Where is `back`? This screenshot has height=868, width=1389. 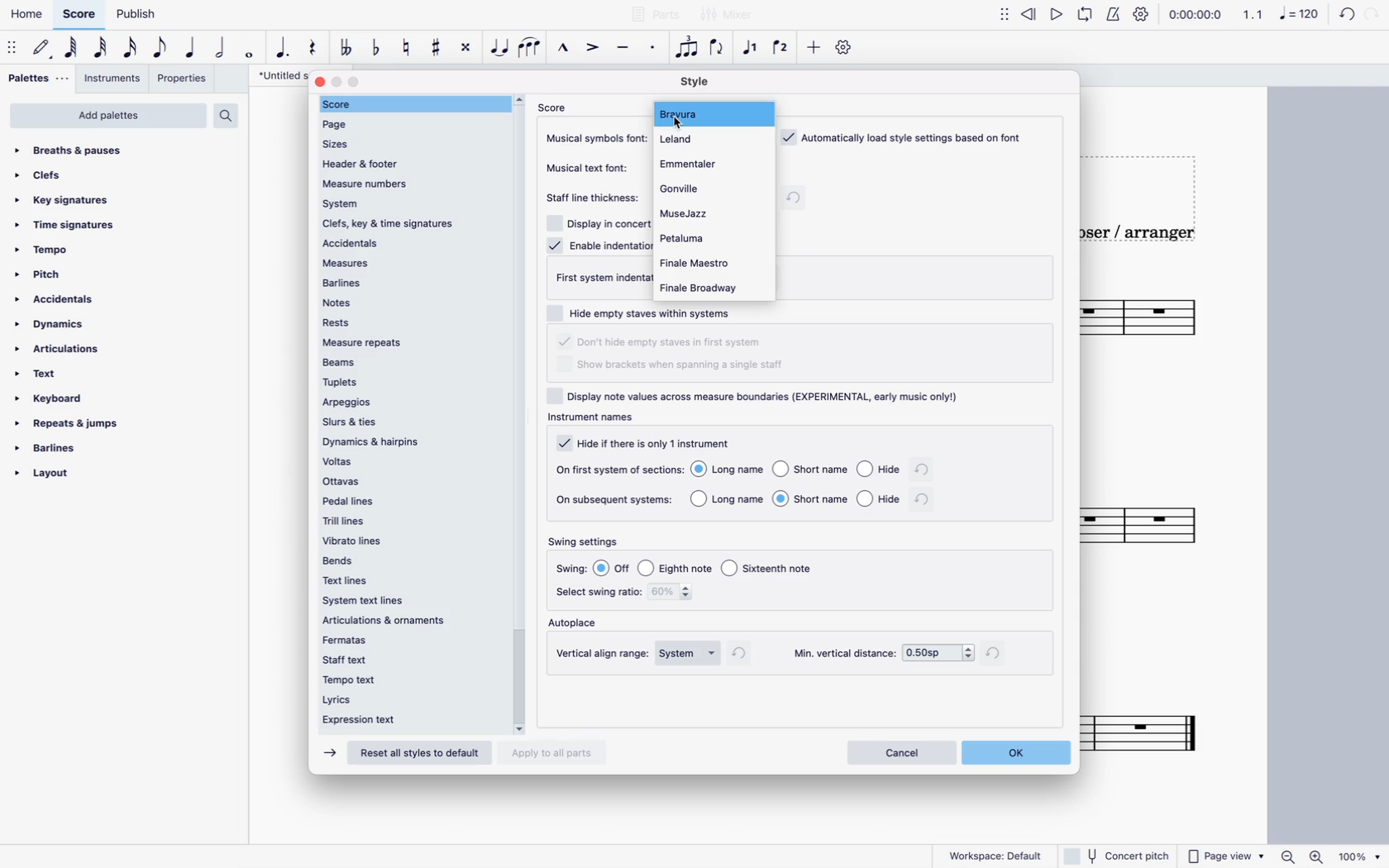 back is located at coordinates (1030, 11).